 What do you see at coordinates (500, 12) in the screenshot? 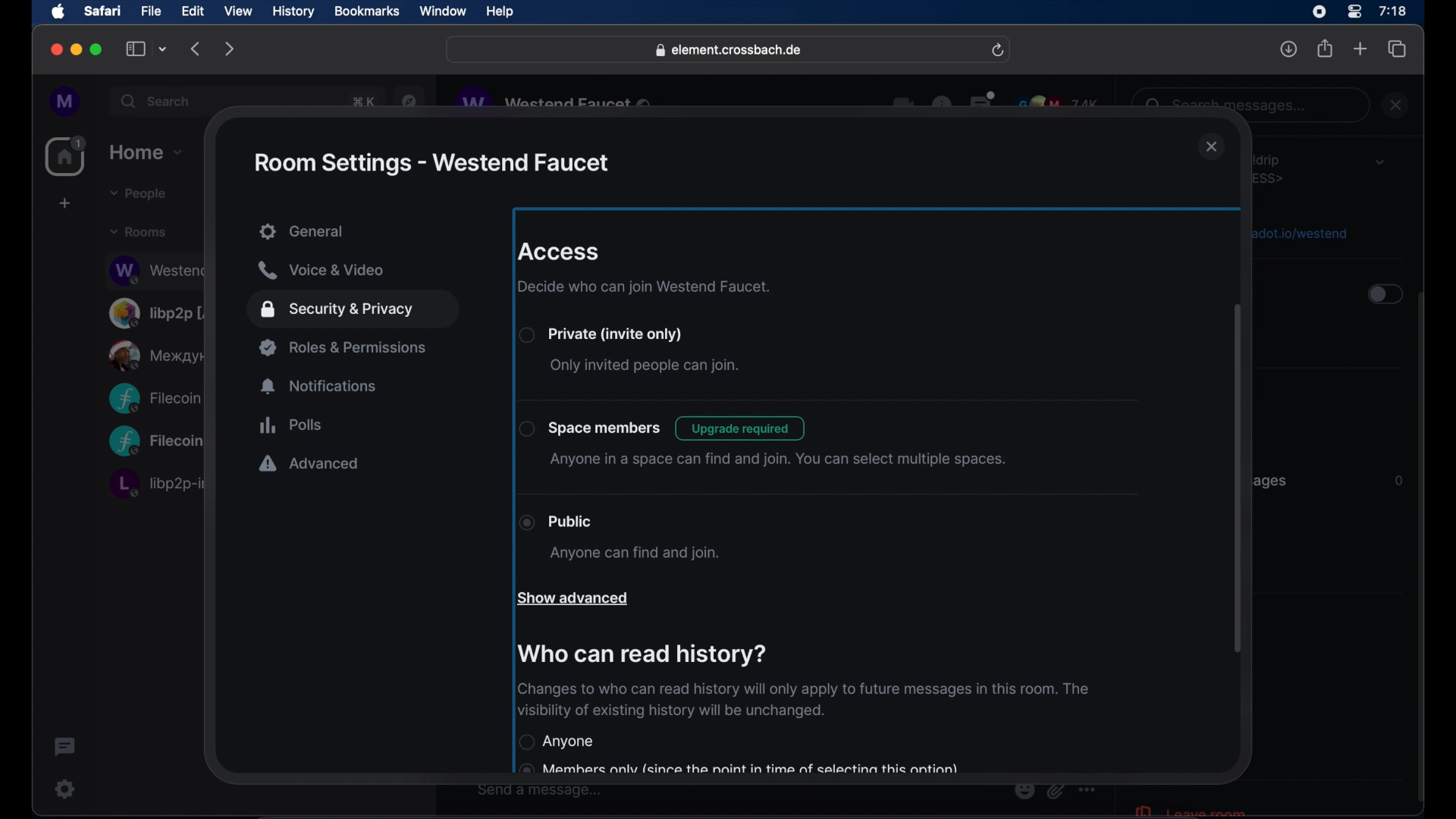
I see `help` at bounding box center [500, 12].